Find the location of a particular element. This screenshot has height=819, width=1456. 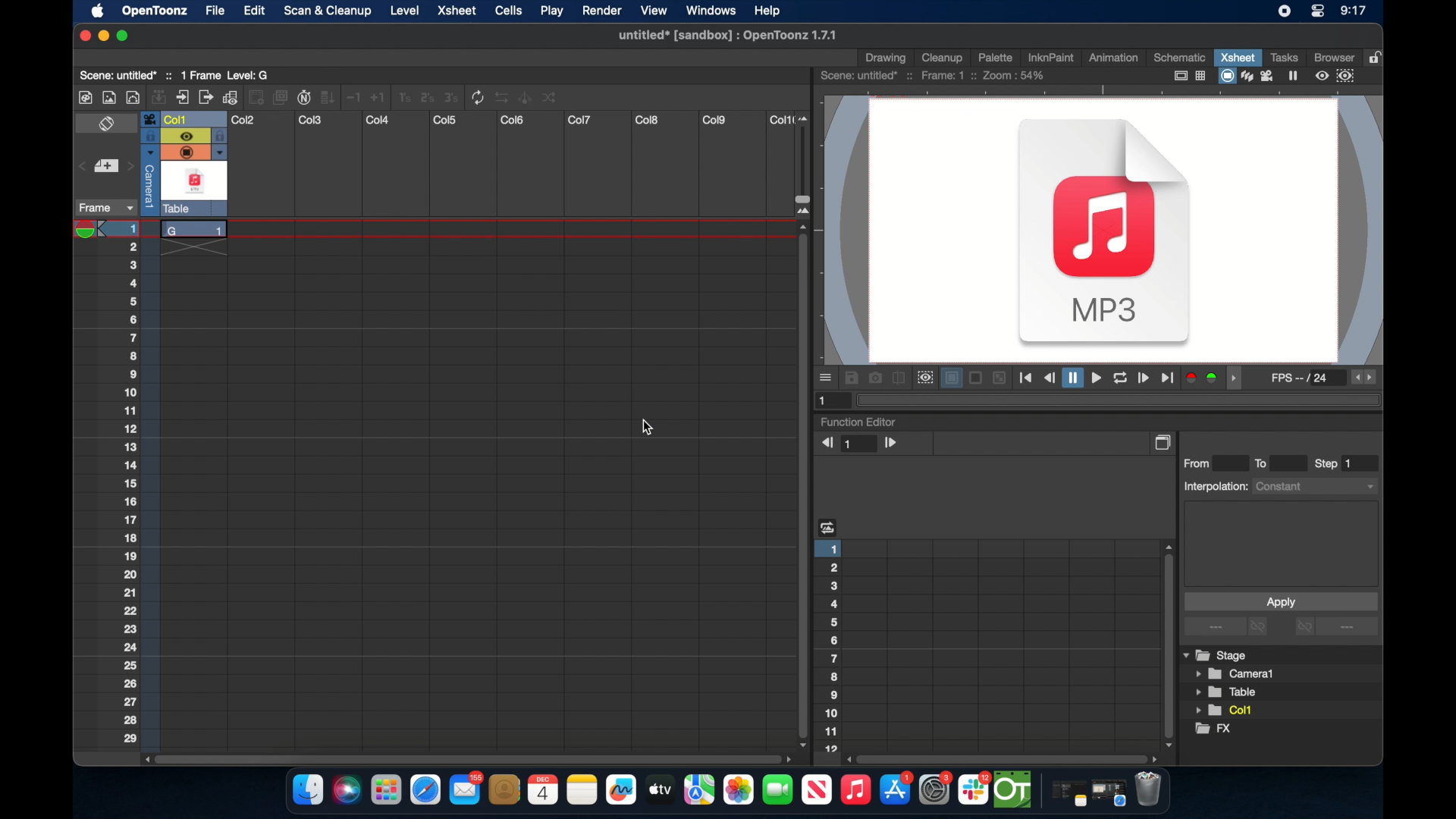

freeform is located at coordinates (622, 790).